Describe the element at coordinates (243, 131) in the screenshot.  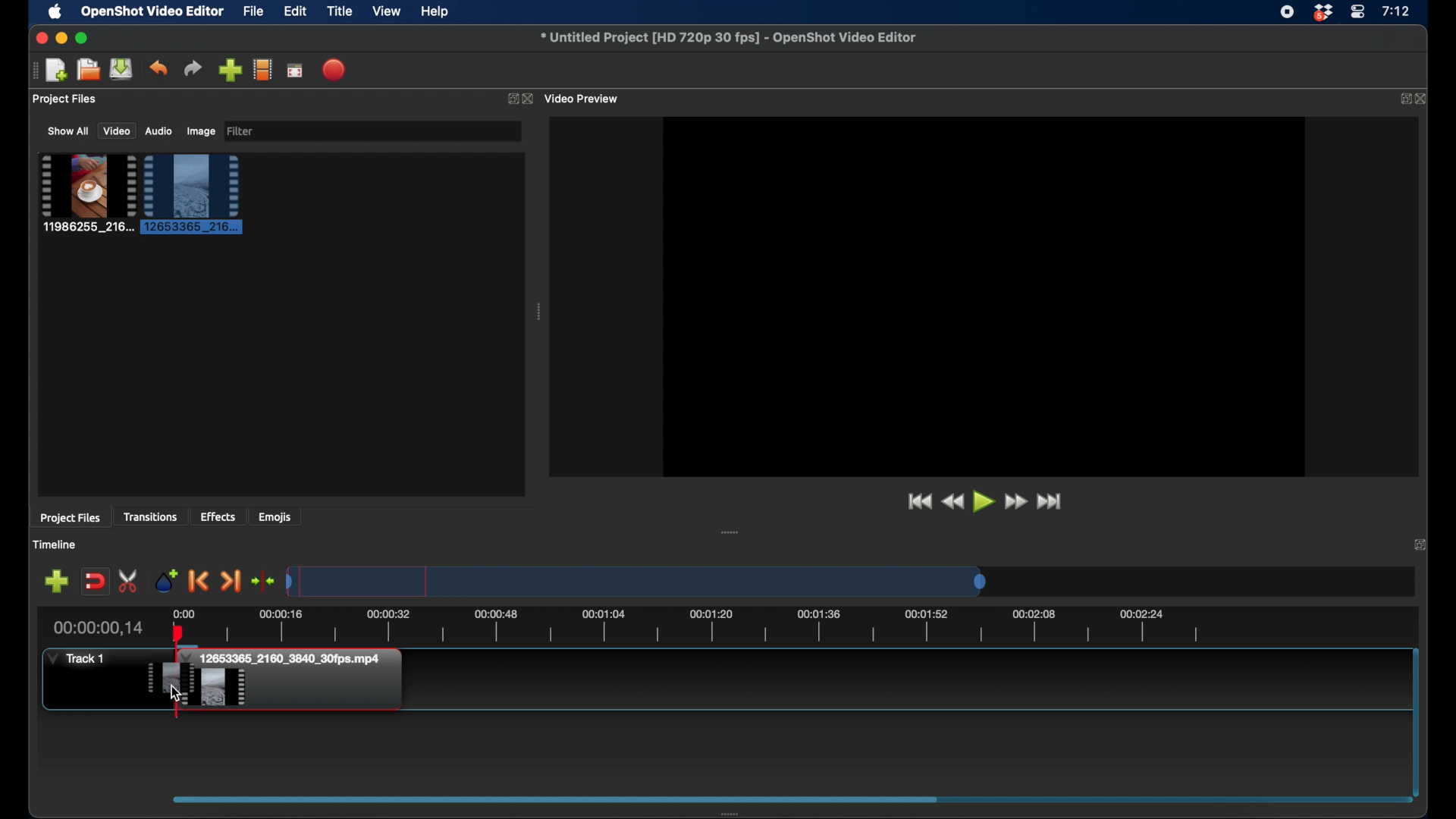
I see `filter` at that location.